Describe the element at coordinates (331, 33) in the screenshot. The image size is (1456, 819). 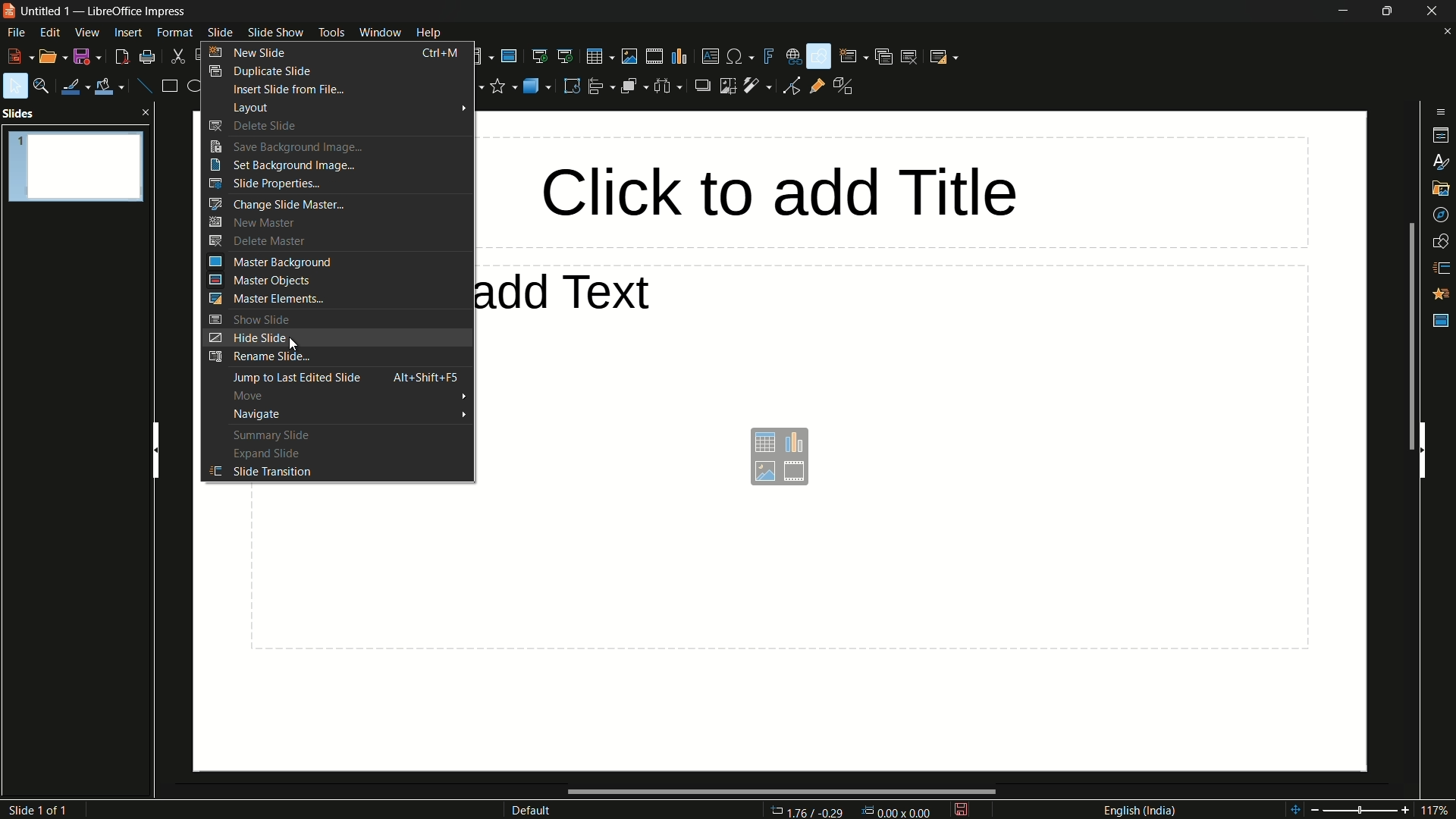
I see `tools menu` at that location.